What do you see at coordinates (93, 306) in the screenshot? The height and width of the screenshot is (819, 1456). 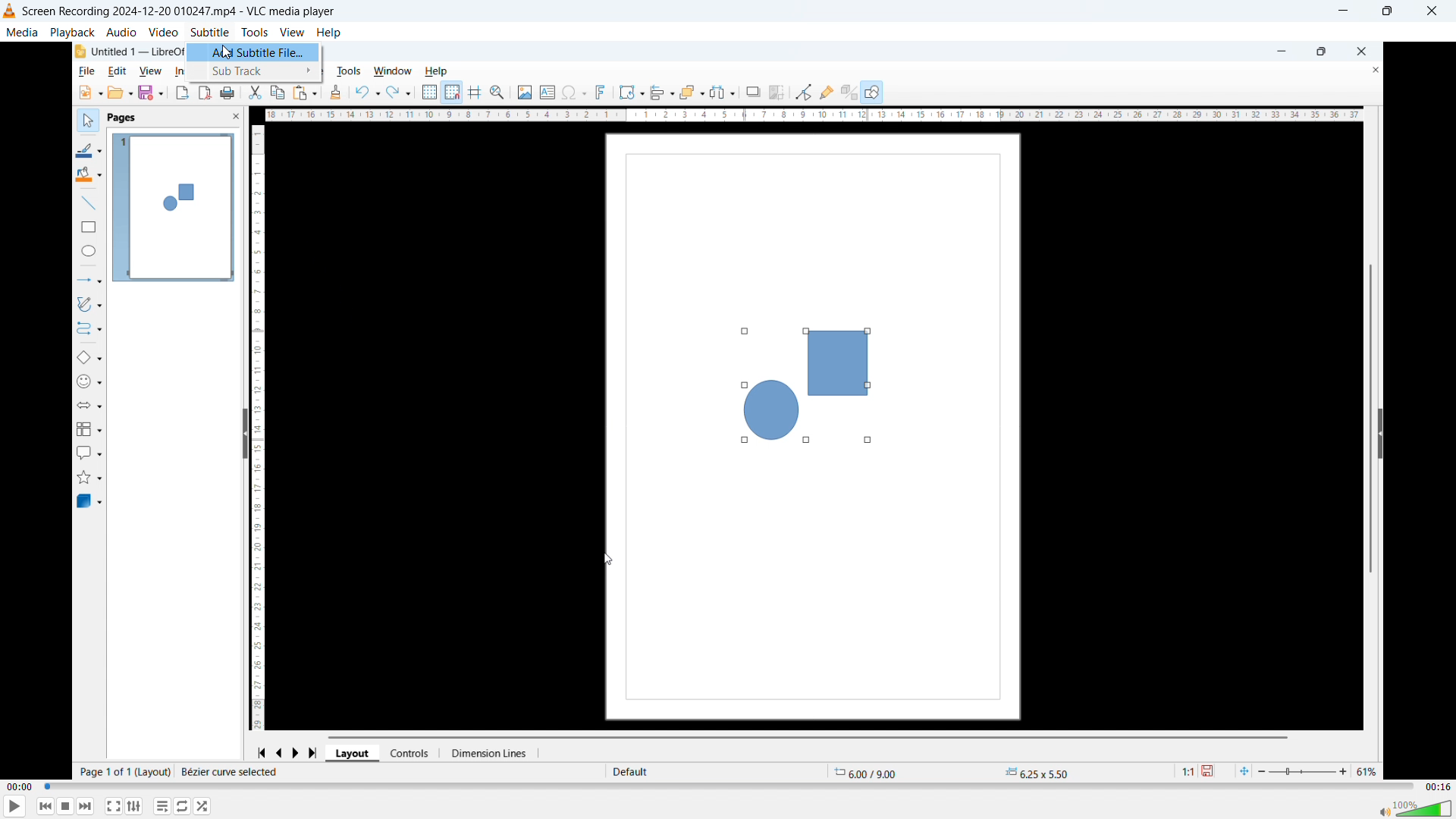 I see `curve and polygons` at bounding box center [93, 306].